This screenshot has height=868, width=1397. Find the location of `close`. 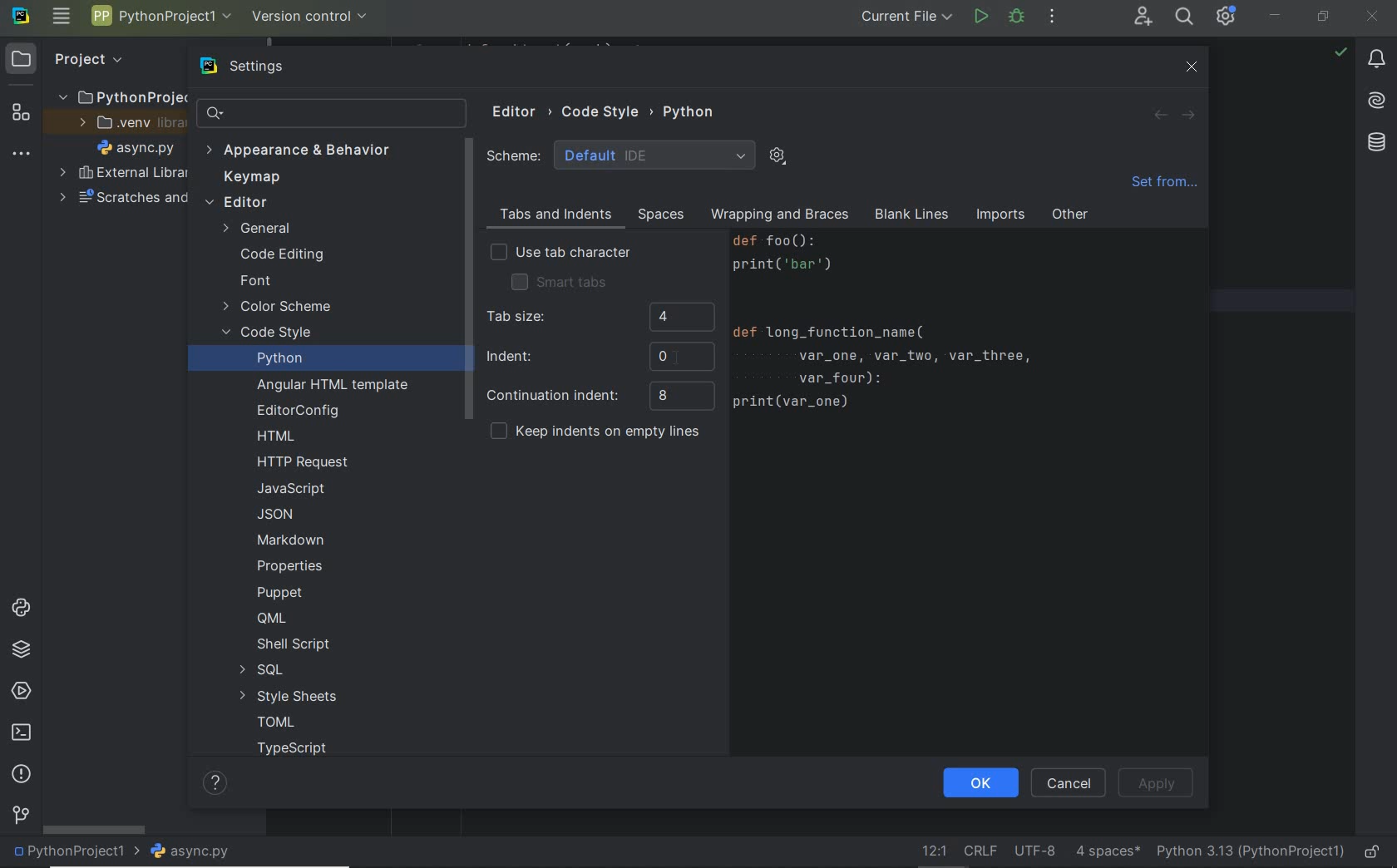

close is located at coordinates (1192, 67).